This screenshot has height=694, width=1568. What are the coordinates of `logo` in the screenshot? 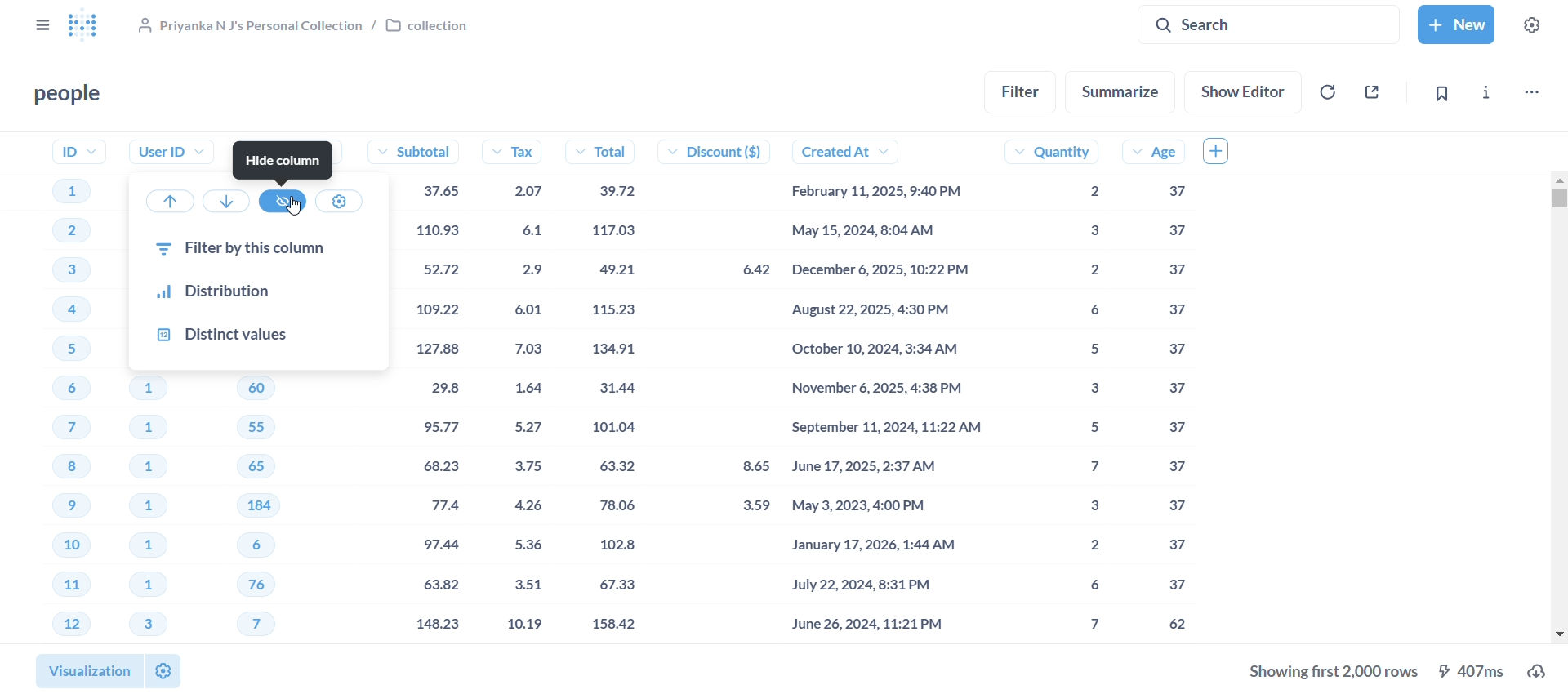 It's located at (91, 26).